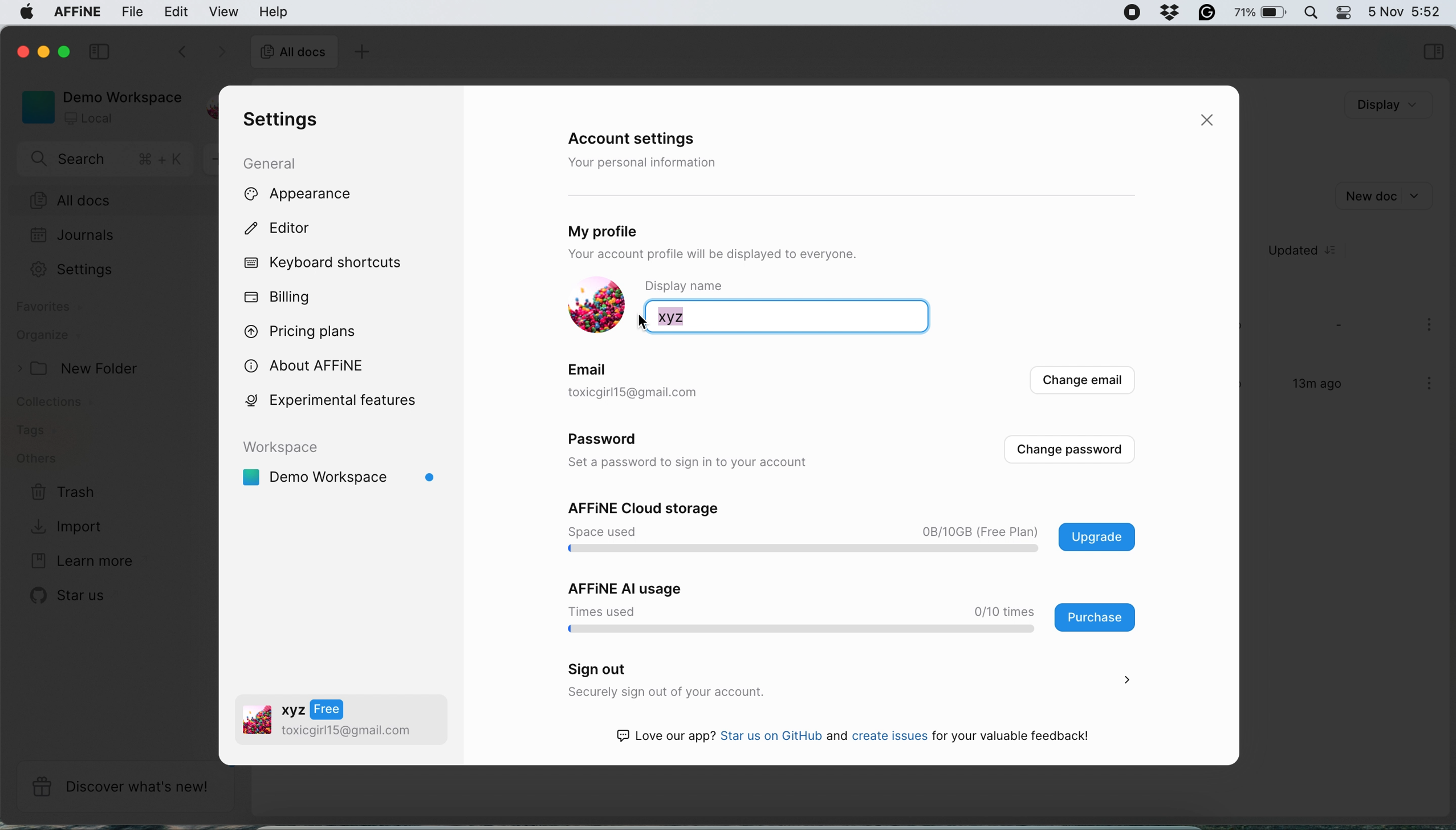 The image size is (1456, 830). I want to click on affine, so click(75, 14).